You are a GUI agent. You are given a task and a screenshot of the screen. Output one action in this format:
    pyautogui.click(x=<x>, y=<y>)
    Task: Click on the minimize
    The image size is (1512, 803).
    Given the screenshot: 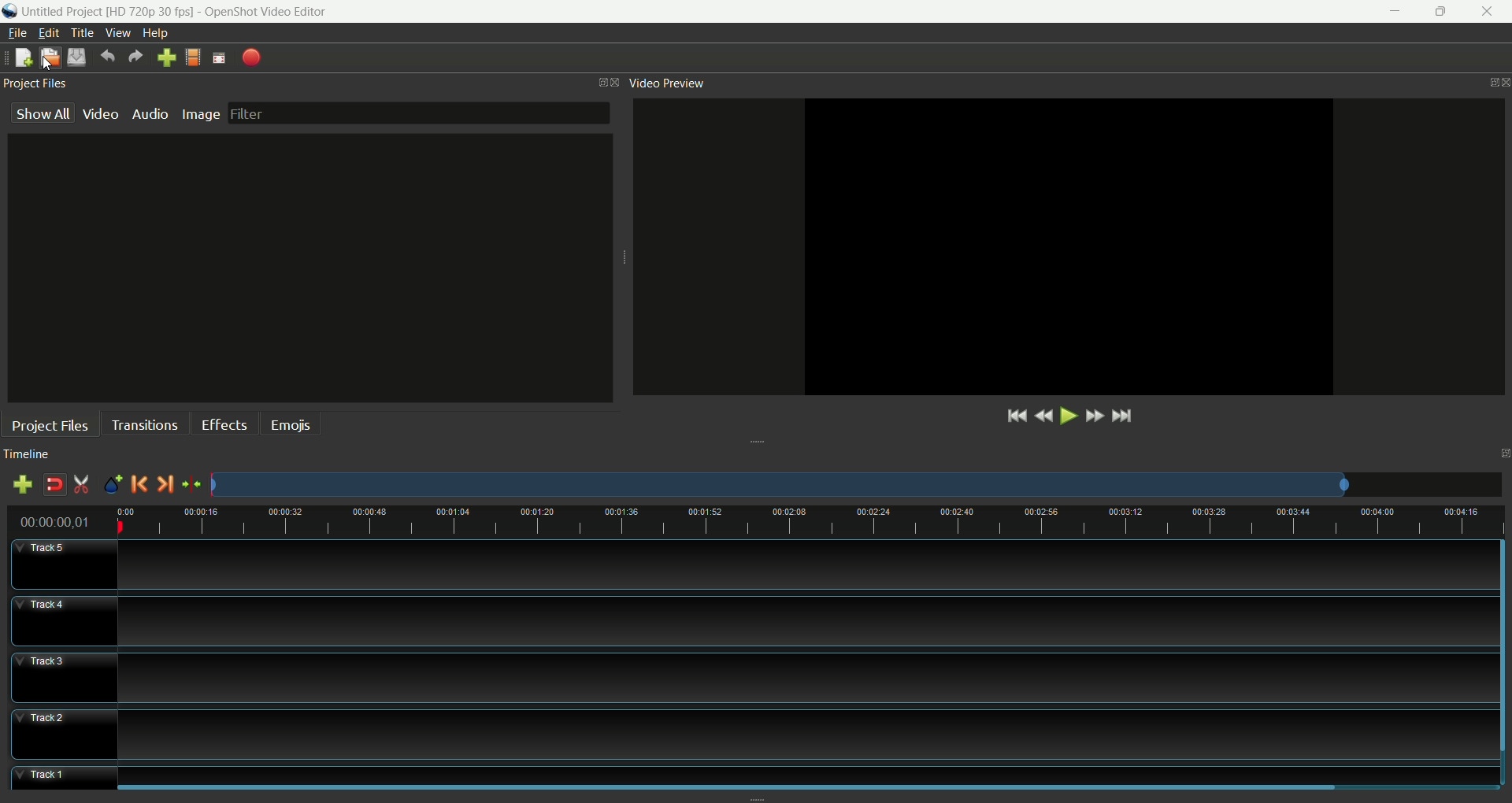 What is the action you would take?
    pyautogui.click(x=1392, y=12)
    